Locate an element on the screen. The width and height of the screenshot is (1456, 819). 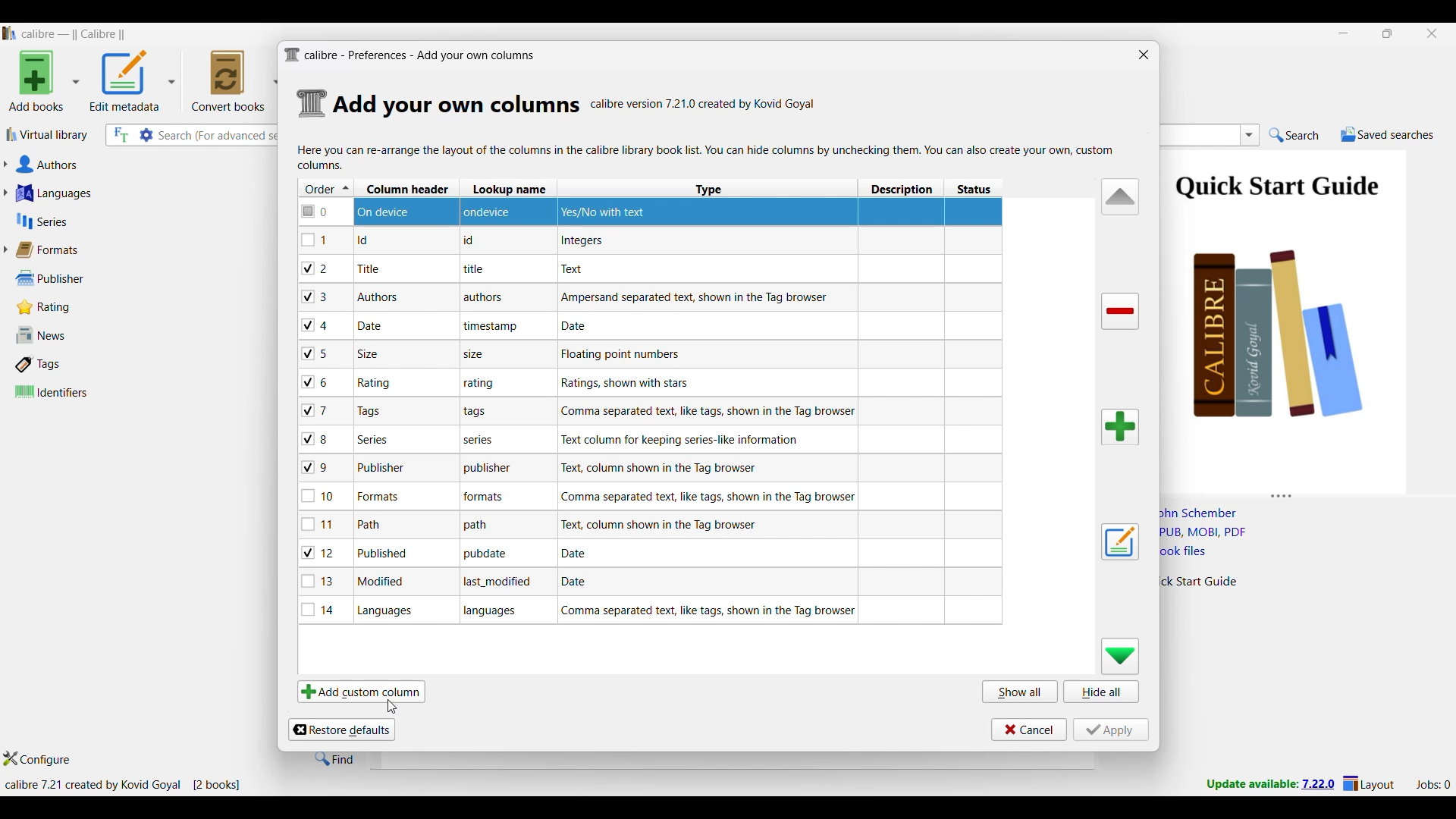
Explanation is located at coordinates (578, 268).